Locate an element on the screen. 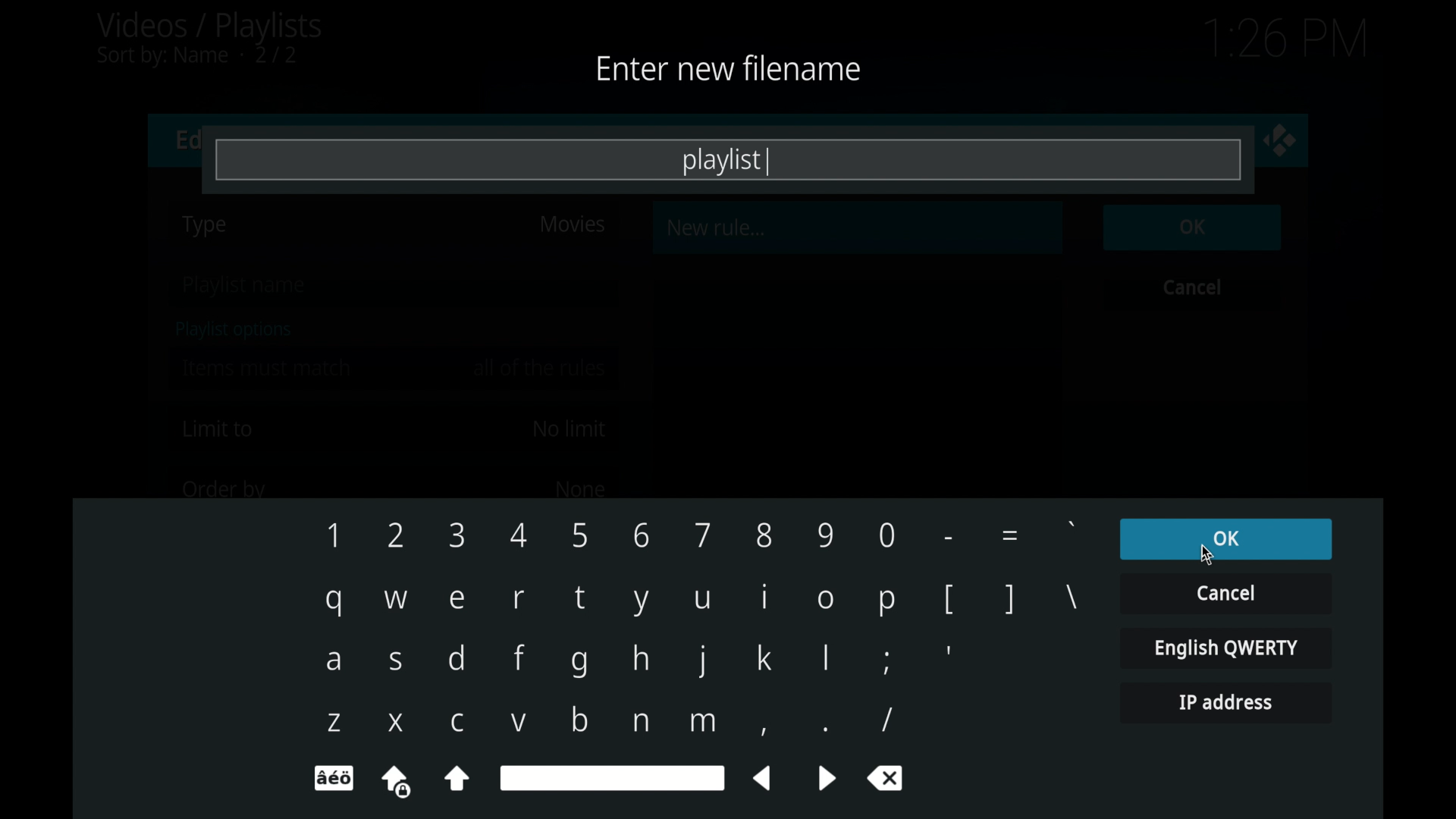 The width and height of the screenshot is (1456, 819). new rule is located at coordinates (717, 227).